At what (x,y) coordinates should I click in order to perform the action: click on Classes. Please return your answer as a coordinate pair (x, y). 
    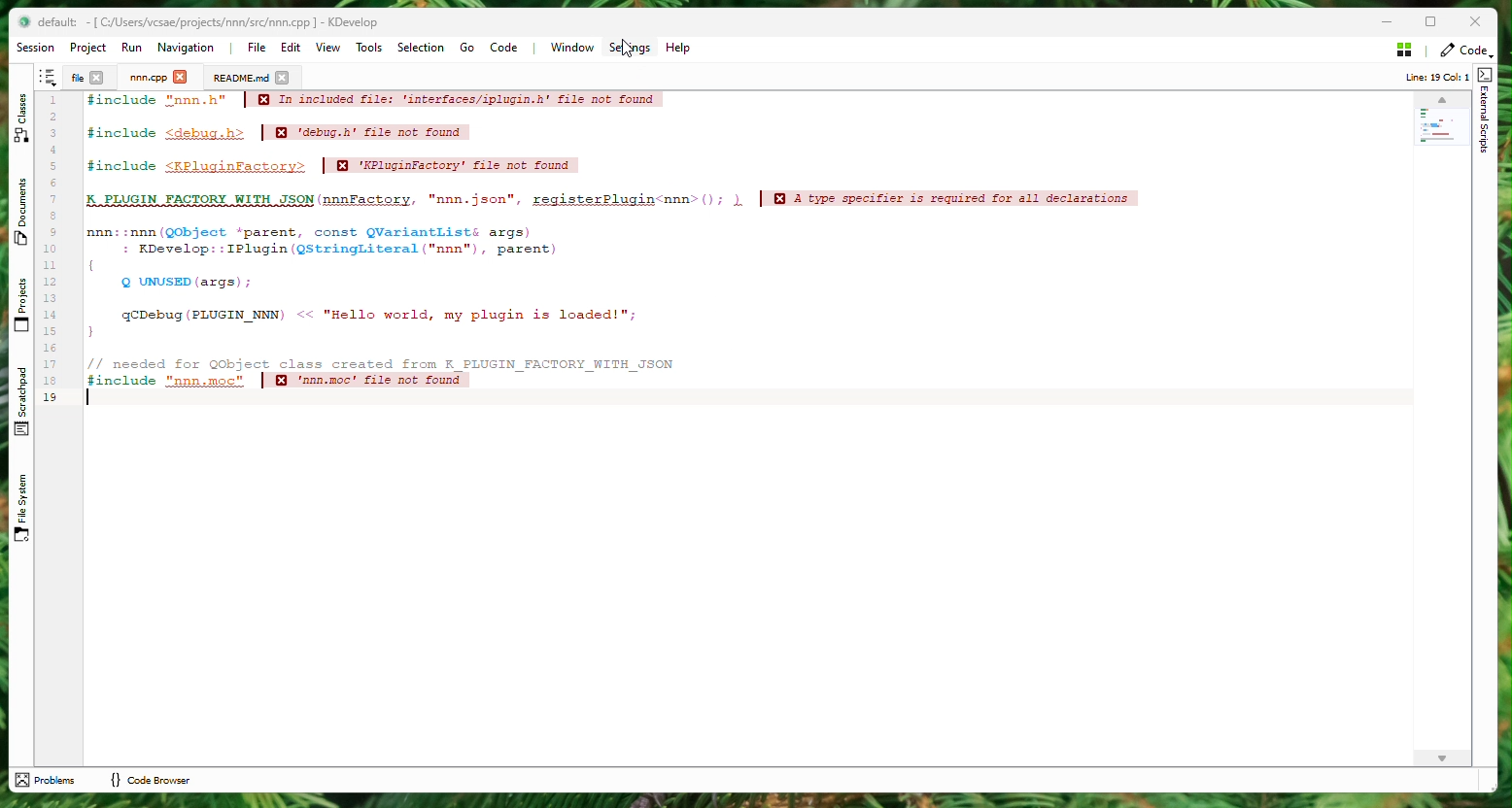
    Looking at the image, I should click on (21, 118).